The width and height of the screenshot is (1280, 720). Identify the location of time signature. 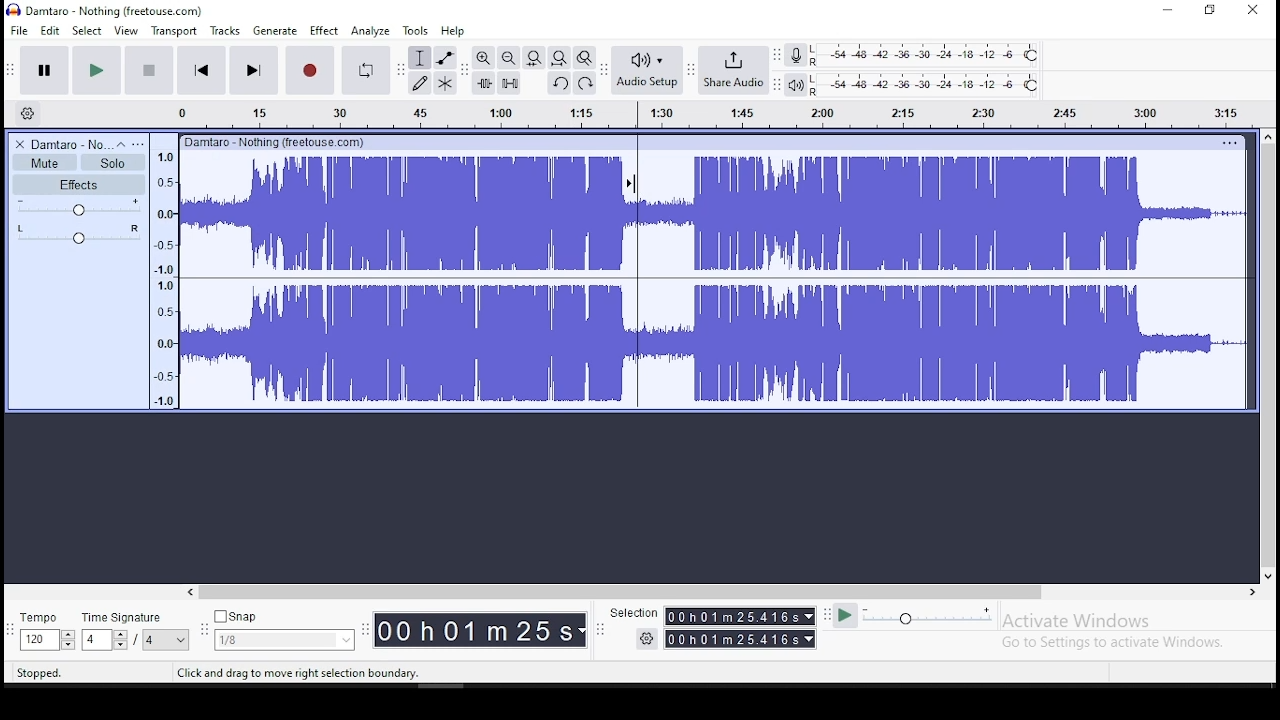
(122, 617).